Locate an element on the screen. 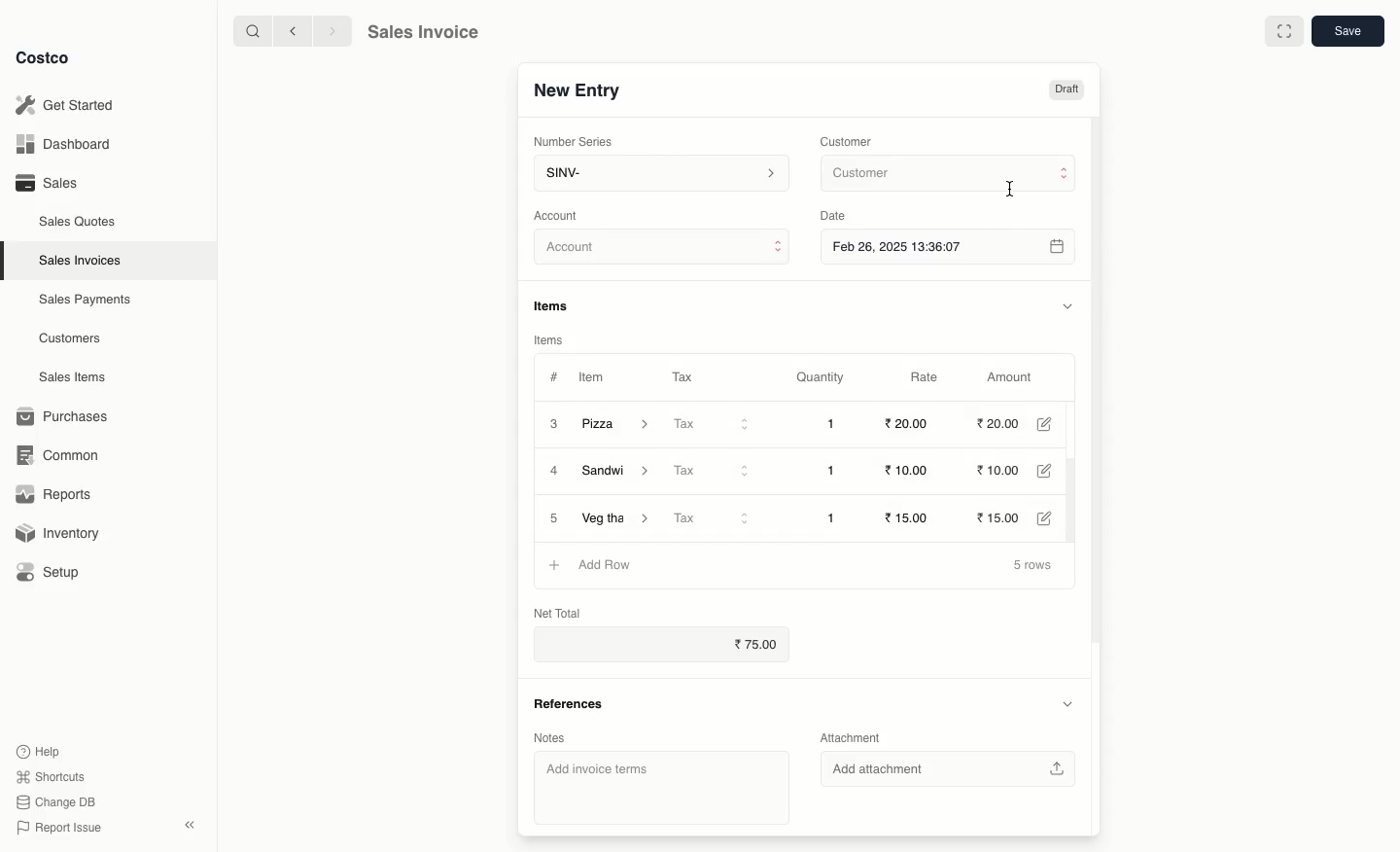  75.00 is located at coordinates (759, 645).